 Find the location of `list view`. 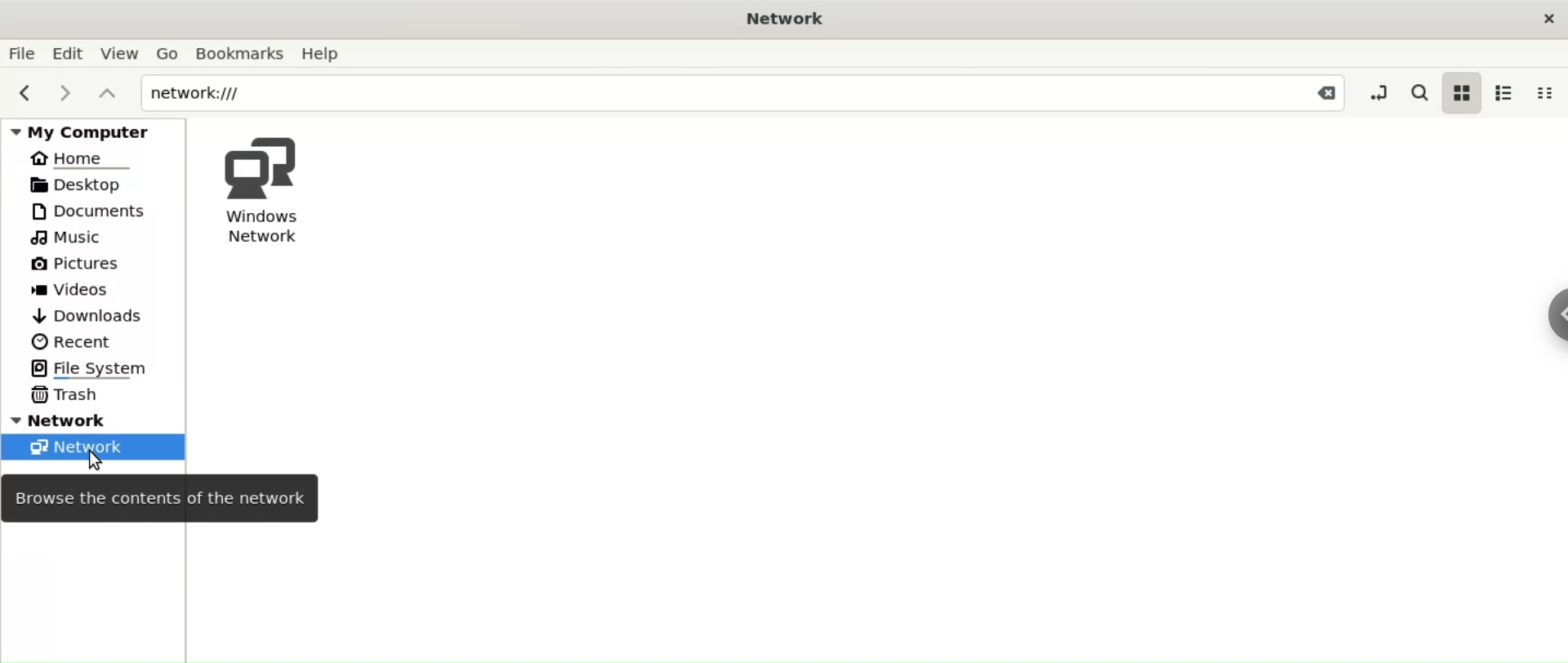

list view is located at coordinates (1512, 94).